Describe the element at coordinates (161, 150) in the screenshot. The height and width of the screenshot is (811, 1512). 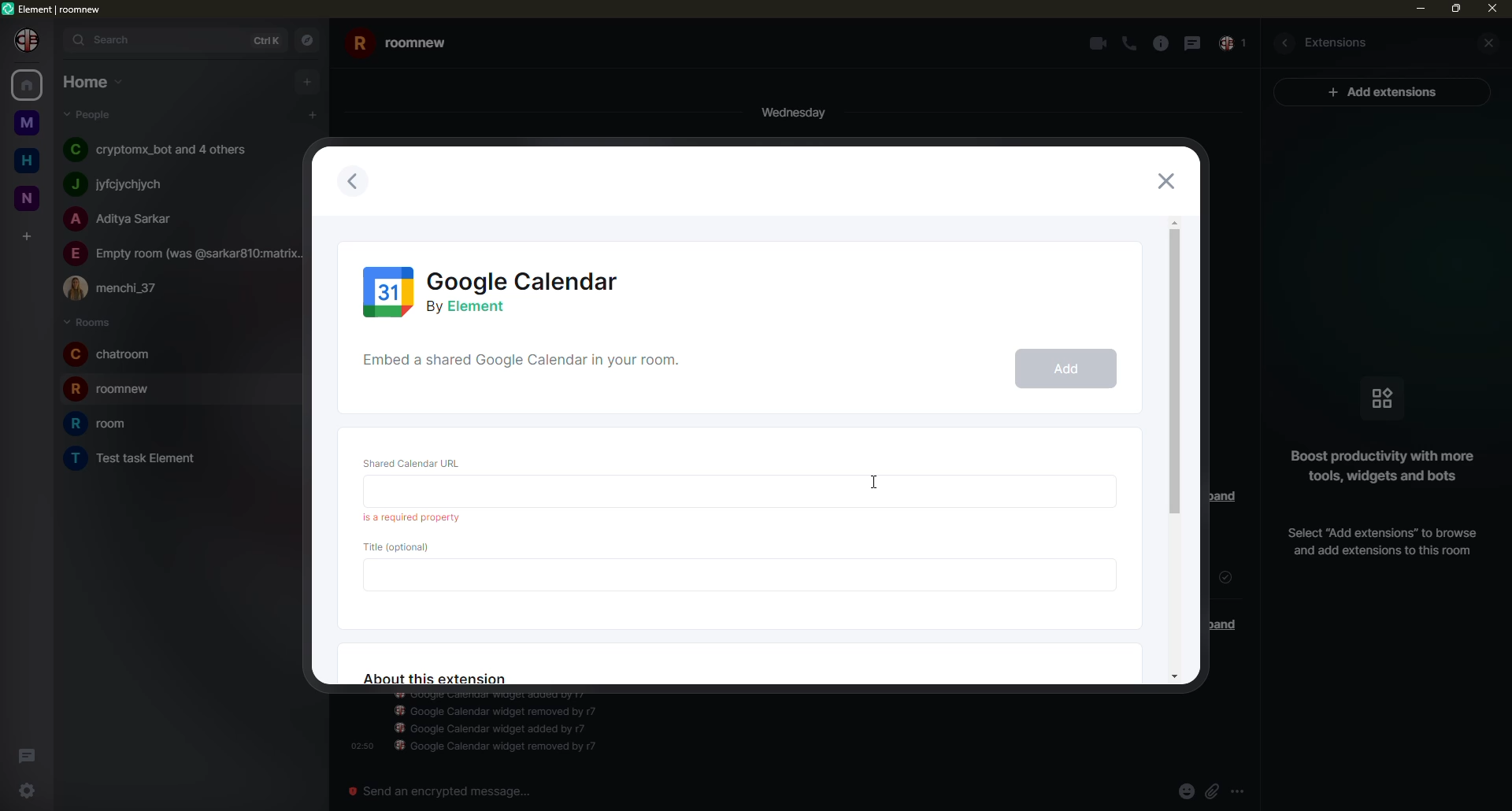
I see `people` at that location.